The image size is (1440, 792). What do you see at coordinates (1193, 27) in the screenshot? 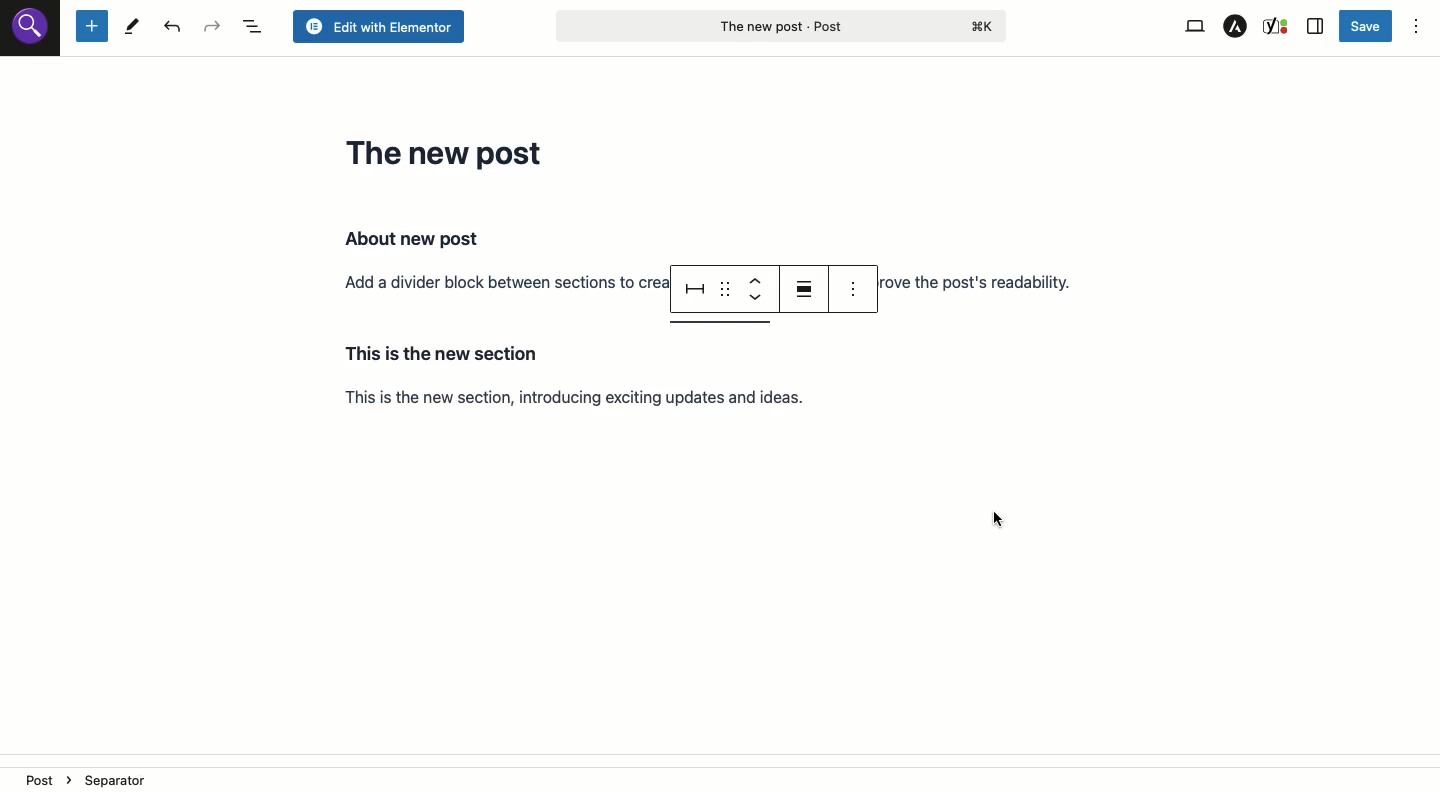
I see `View` at bounding box center [1193, 27].